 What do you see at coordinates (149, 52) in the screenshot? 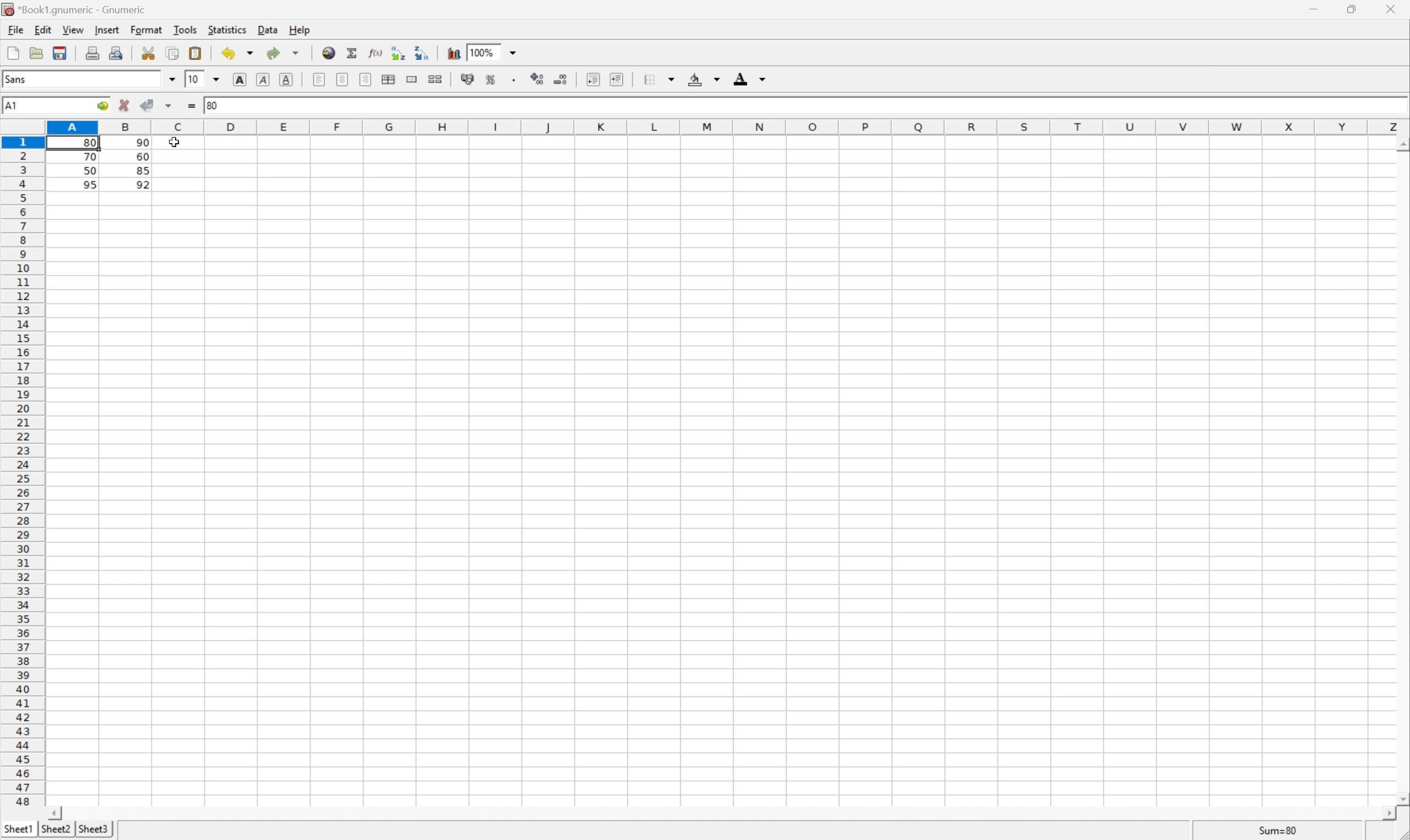
I see `Cut the selection` at bounding box center [149, 52].